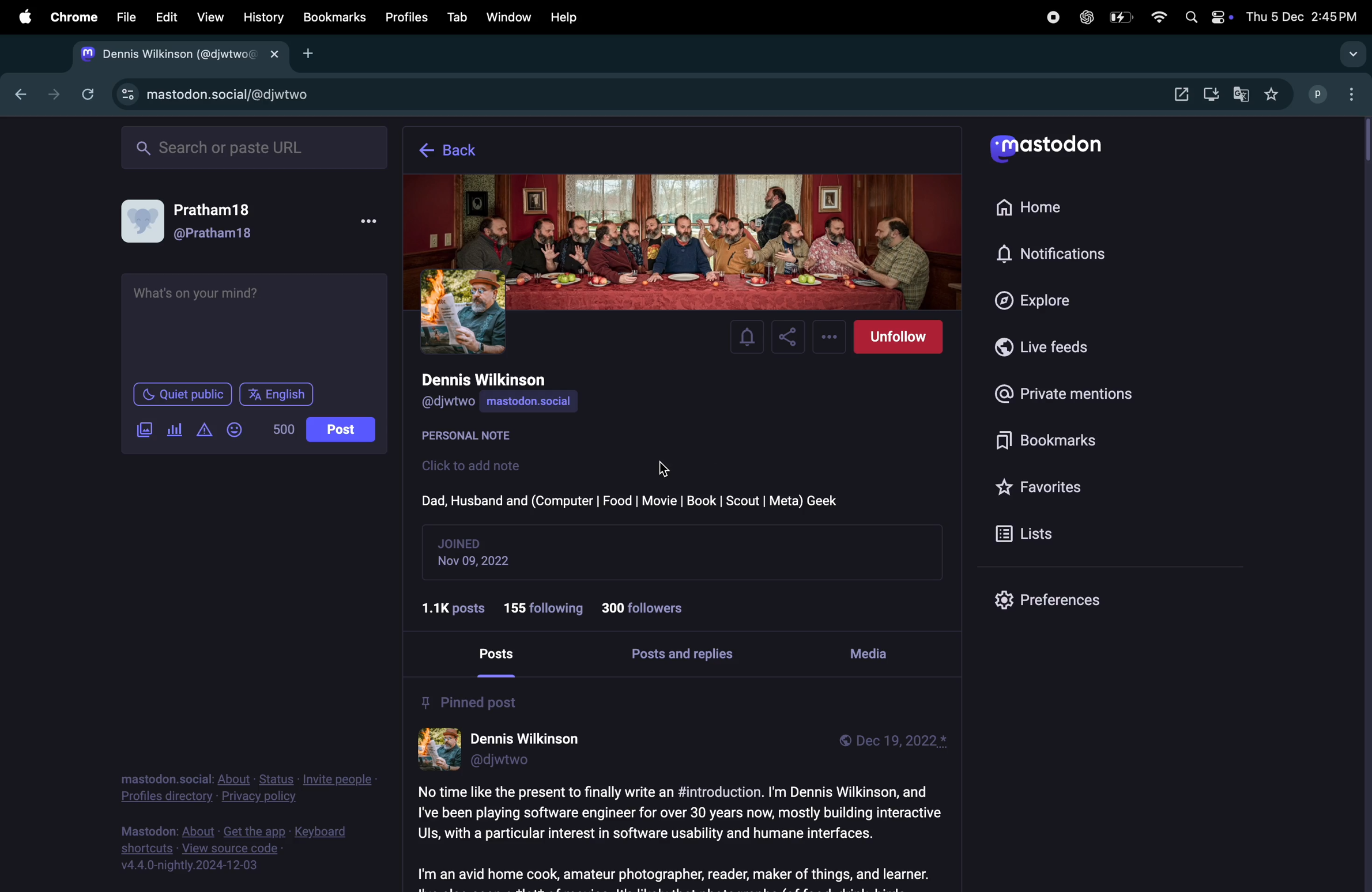 This screenshot has height=892, width=1372. What do you see at coordinates (223, 849) in the screenshot?
I see `view source code` at bounding box center [223, 849].